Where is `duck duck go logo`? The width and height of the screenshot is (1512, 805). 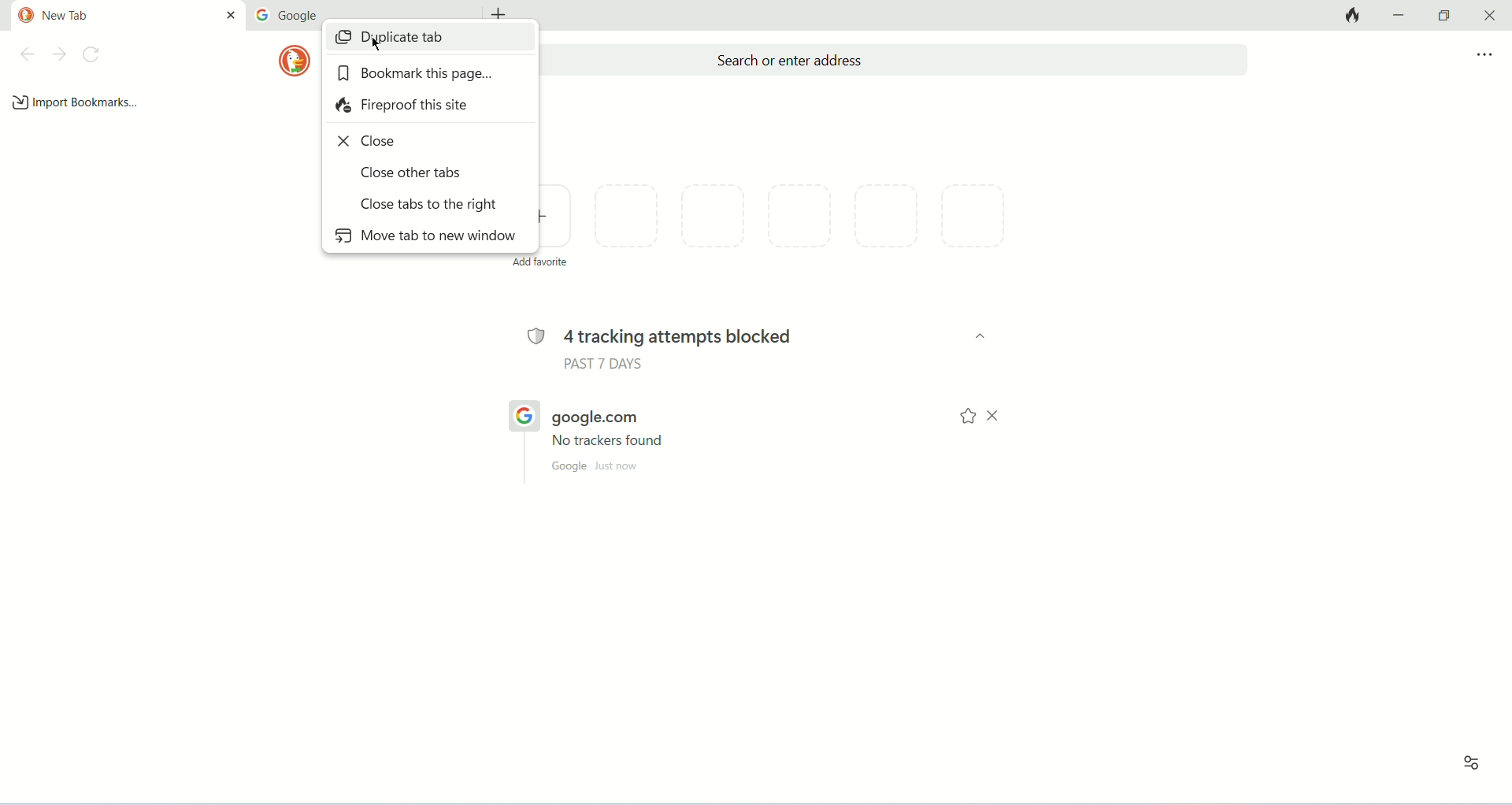 duck duck go logo is located at coordinates (22, 16).